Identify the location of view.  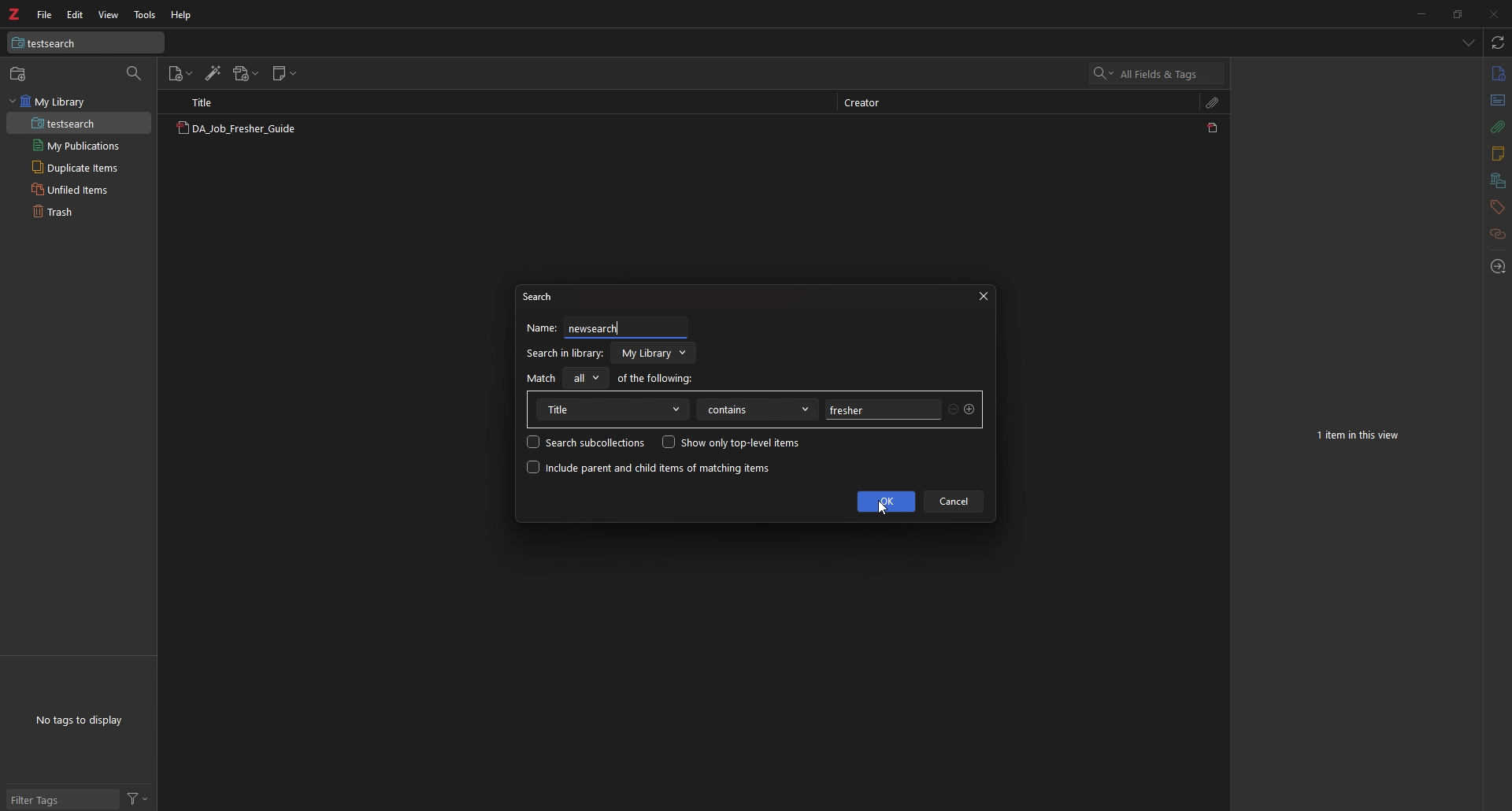
(108, 15).